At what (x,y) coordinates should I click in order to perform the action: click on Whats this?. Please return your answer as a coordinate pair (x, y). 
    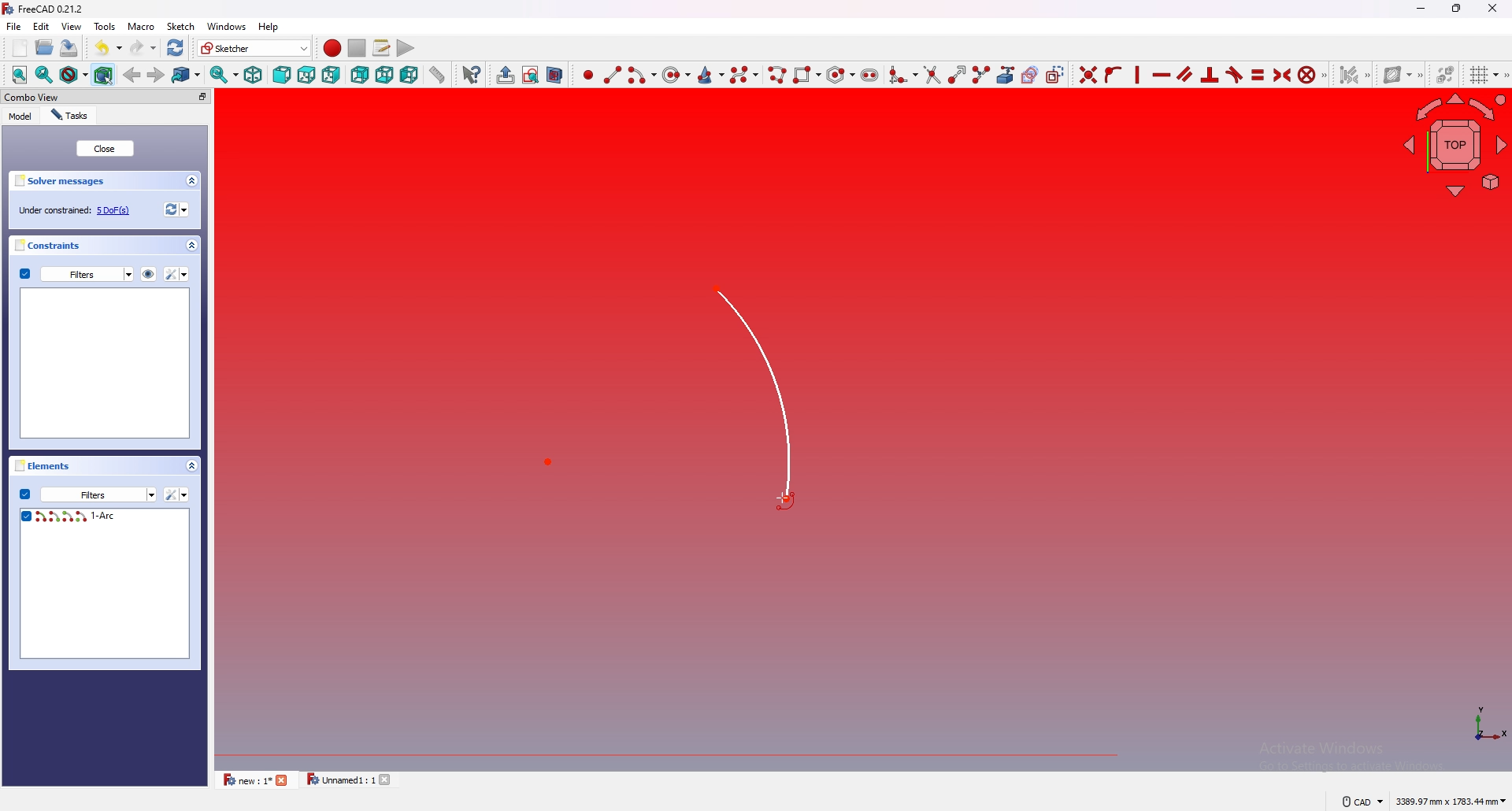
    Looking at the image, I should click on (472, 74).